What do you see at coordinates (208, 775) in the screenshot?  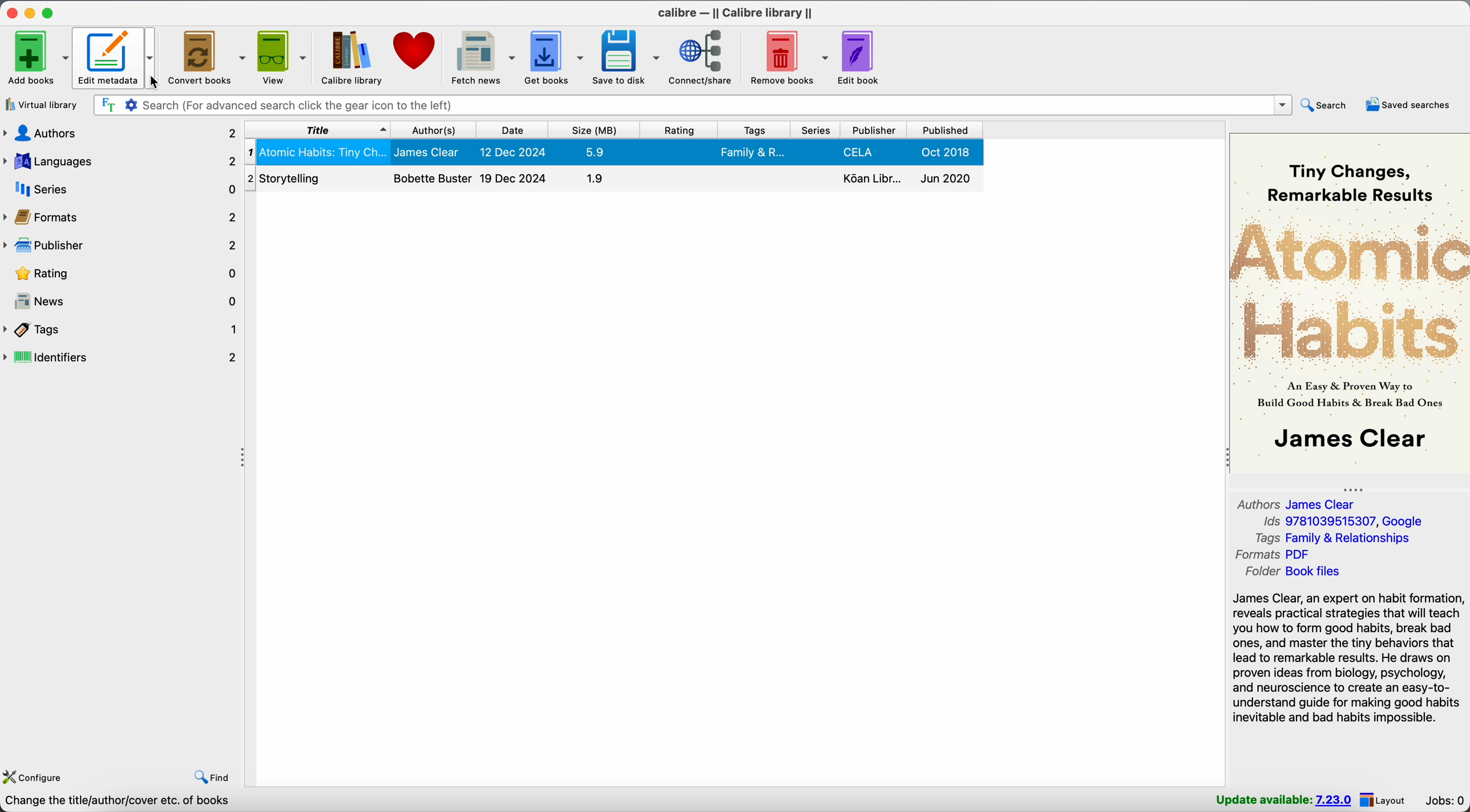 I see `find` at bounding box center [208, 775].